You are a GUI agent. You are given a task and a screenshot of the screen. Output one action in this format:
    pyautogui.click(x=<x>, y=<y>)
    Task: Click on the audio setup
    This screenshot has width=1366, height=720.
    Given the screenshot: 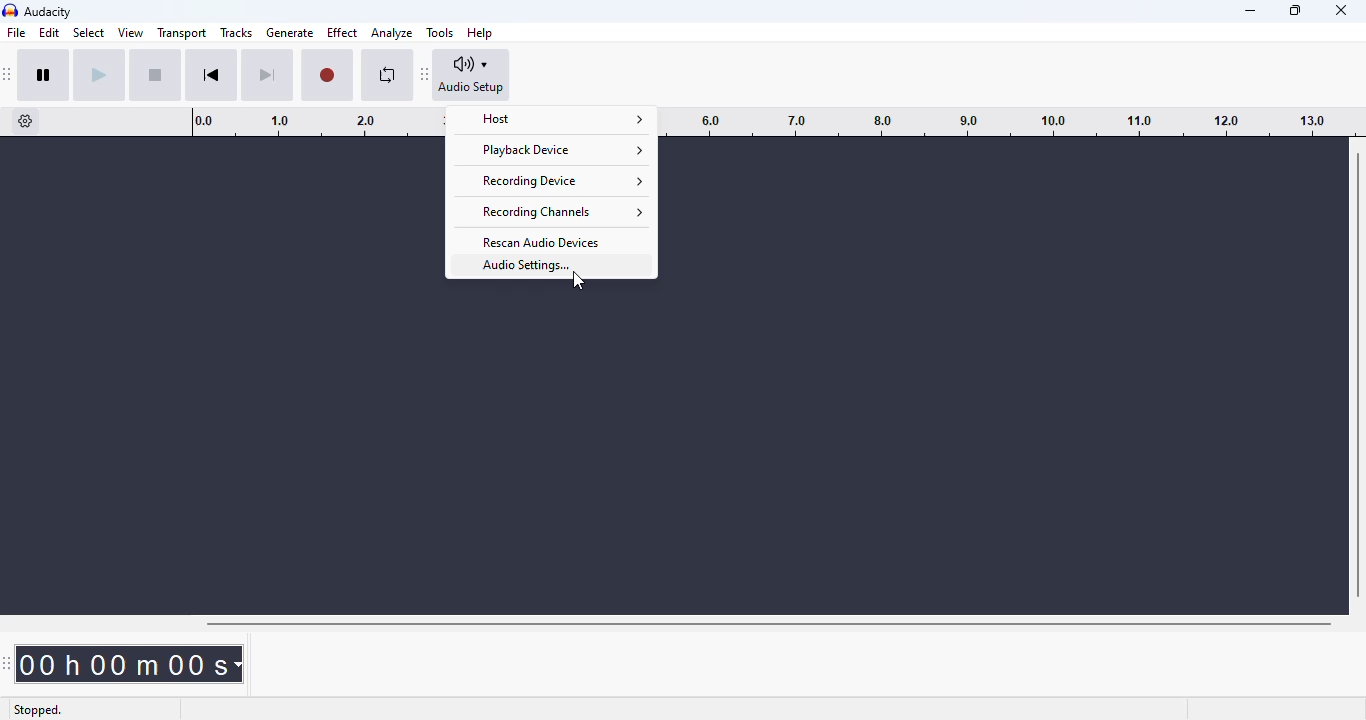 What is the action you would take?
    pyautogui.click(x=472, y=75)
    